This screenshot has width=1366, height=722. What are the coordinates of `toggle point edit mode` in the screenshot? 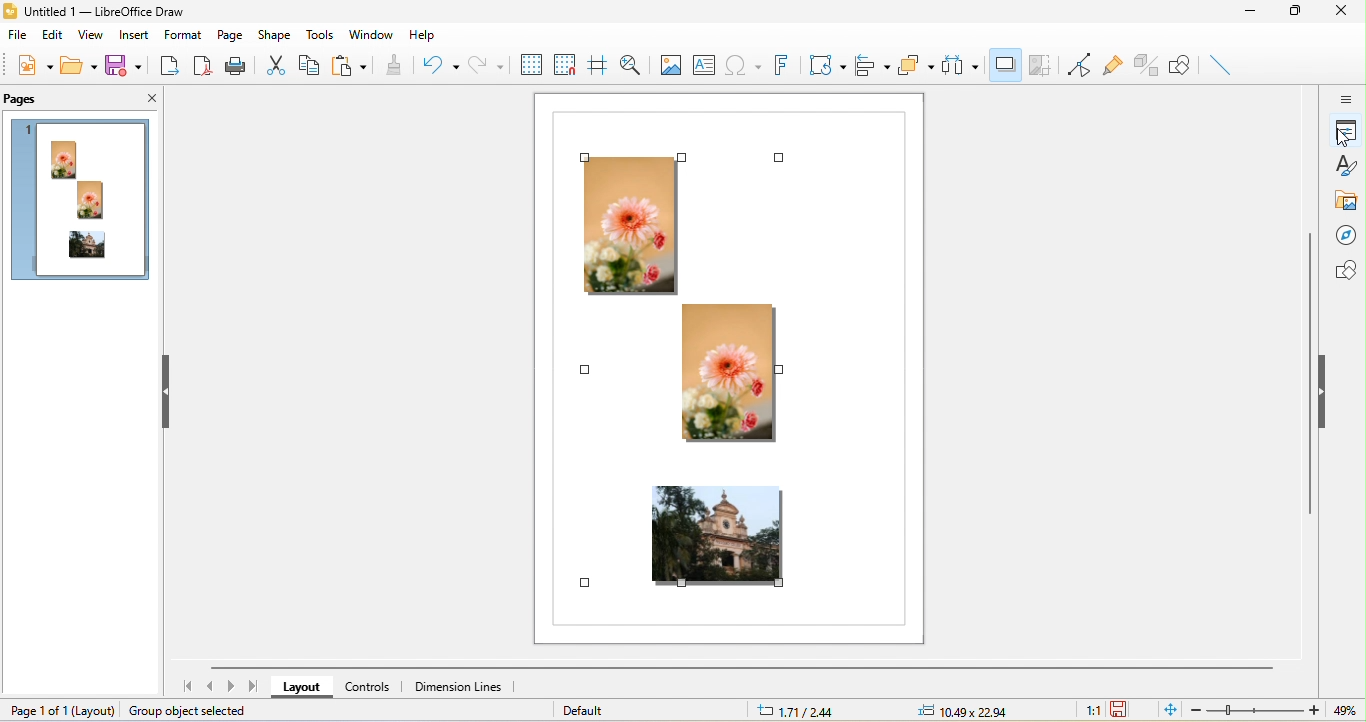 It's located at (1077, 67).